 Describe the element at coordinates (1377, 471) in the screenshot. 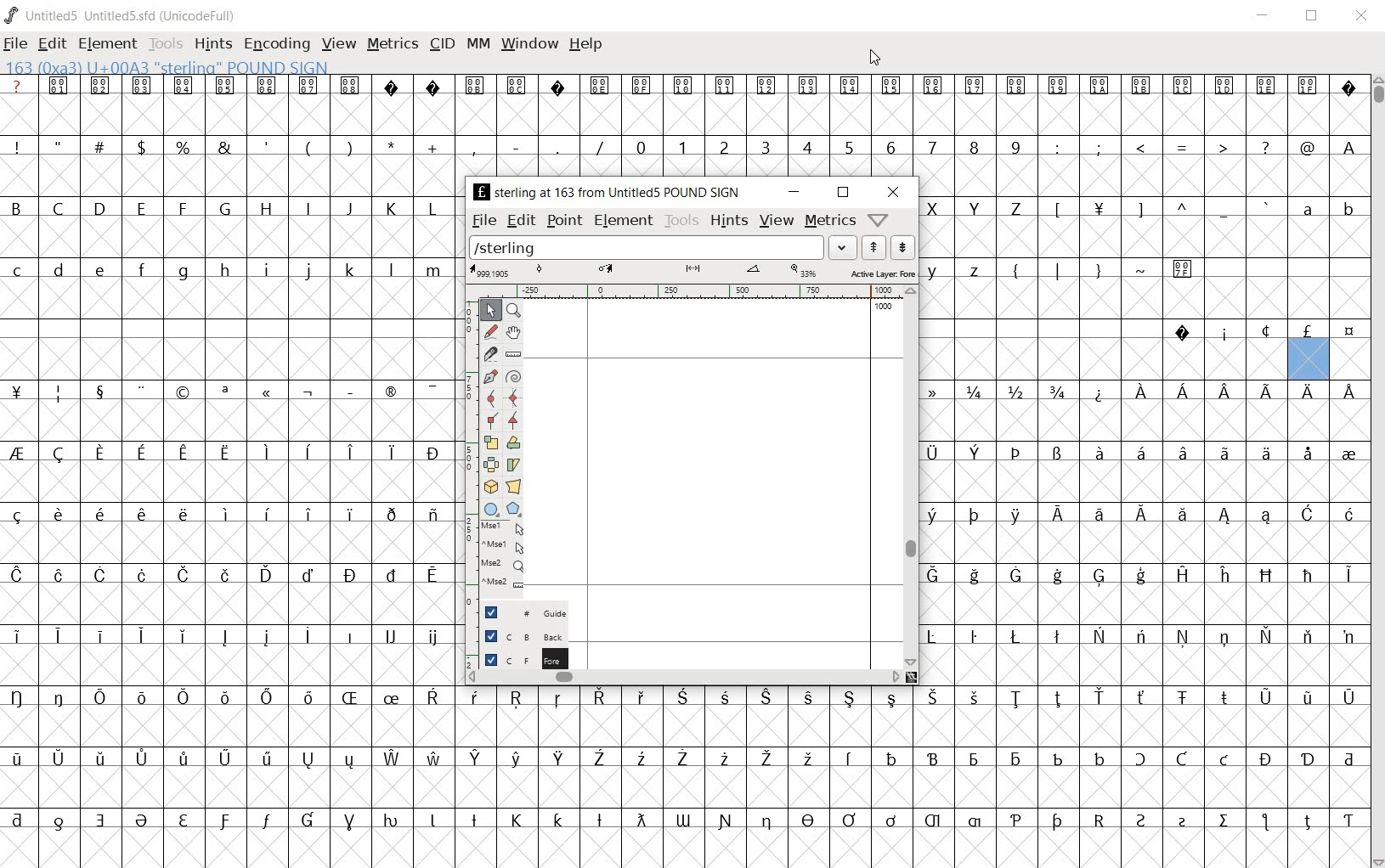

I see `SCROLLBAR` at that location.